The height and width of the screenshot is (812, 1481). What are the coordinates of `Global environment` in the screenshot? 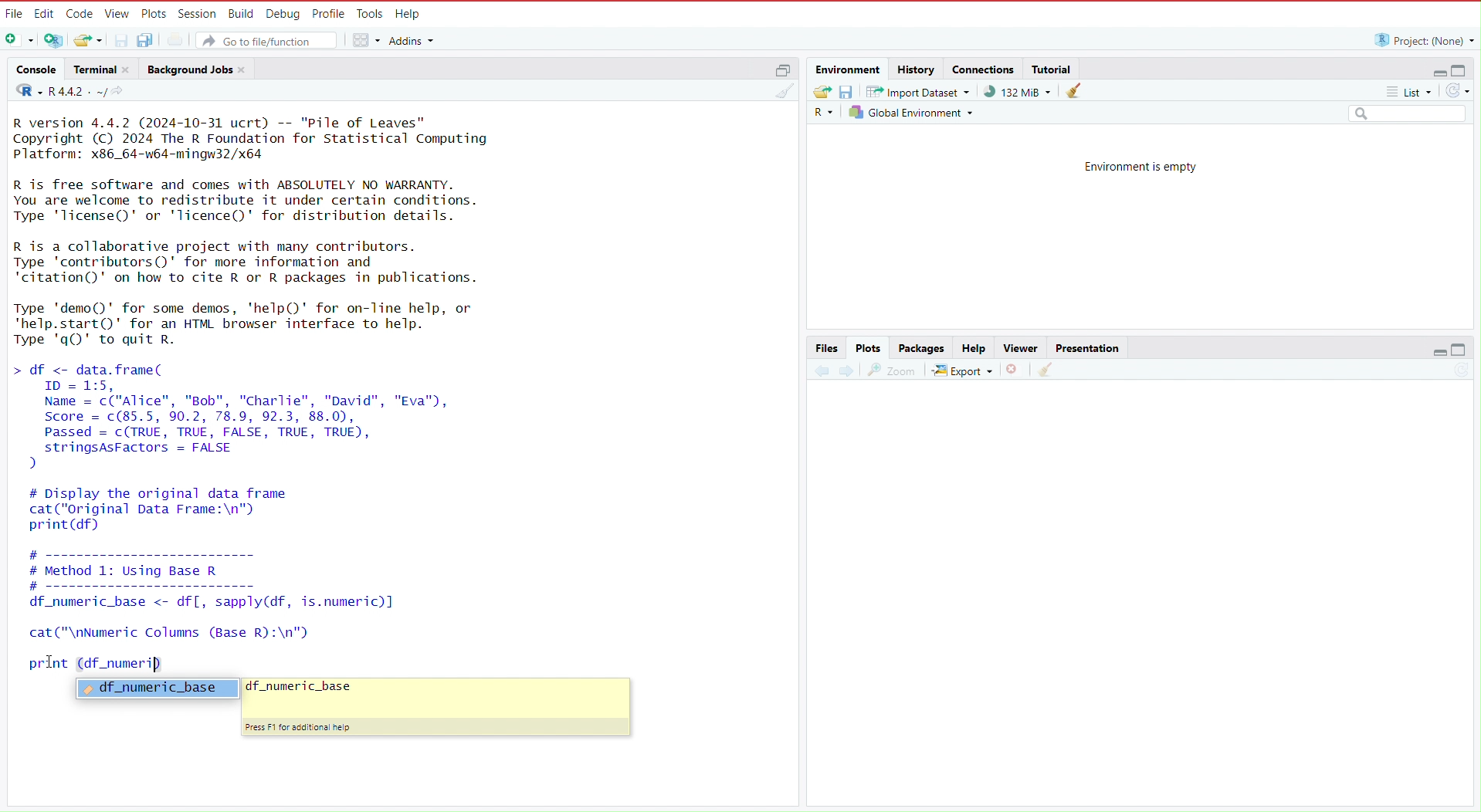 It's located at (912, 113).